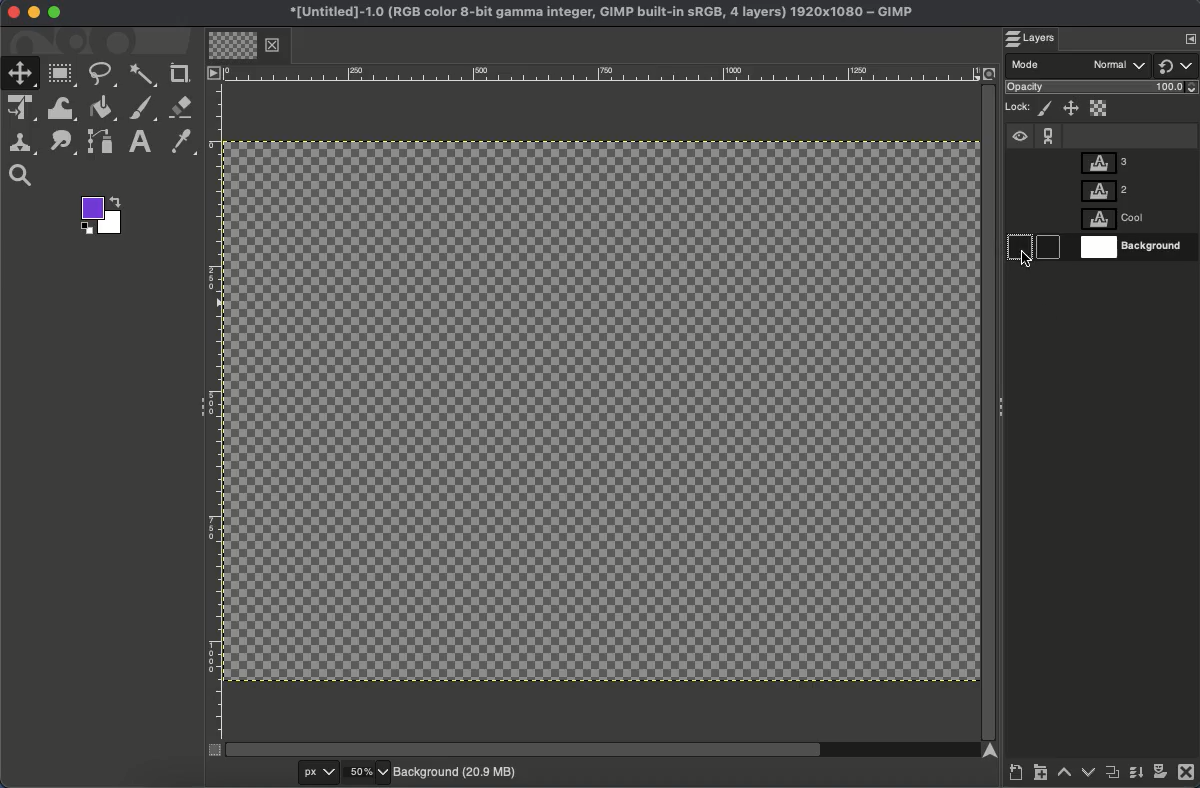  Describe the element at coordinates (1080, 66) in the screenshot. I see `Mode` at that location.